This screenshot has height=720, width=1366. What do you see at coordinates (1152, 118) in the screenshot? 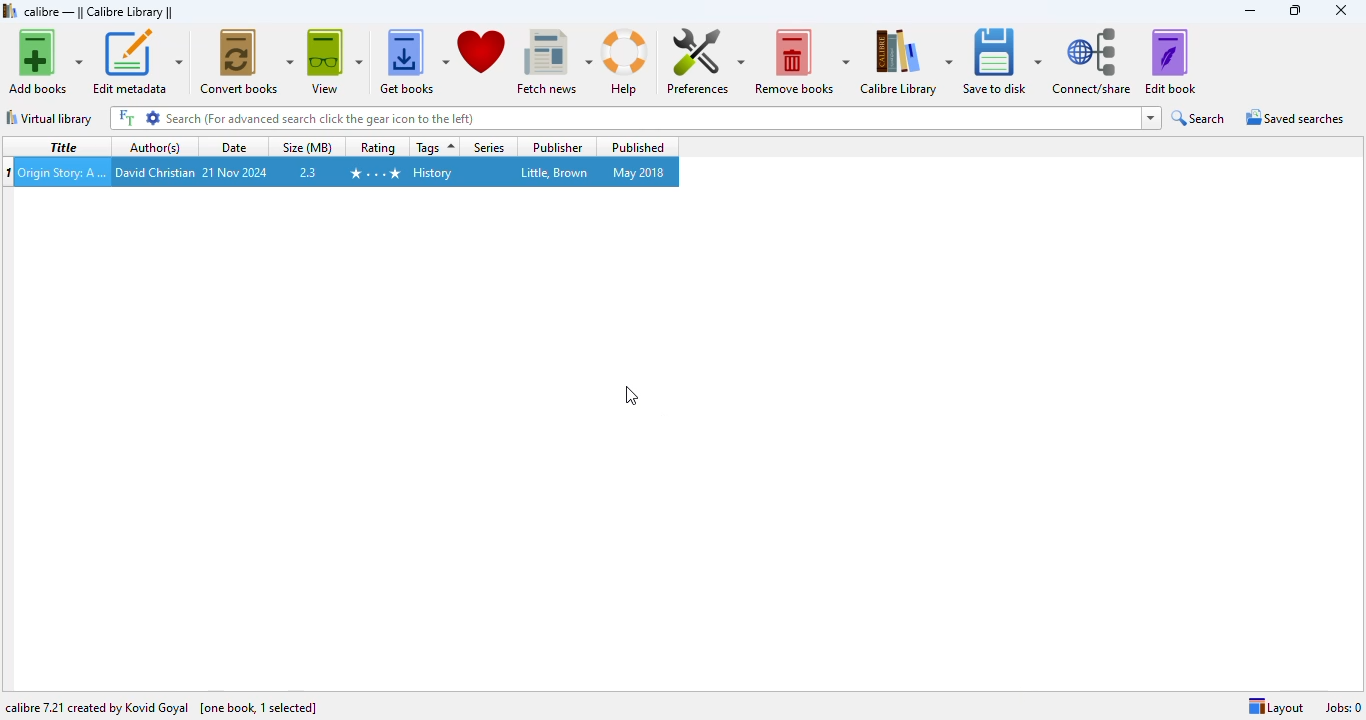
I see `dropdown` at bounding box center [1152, 118].